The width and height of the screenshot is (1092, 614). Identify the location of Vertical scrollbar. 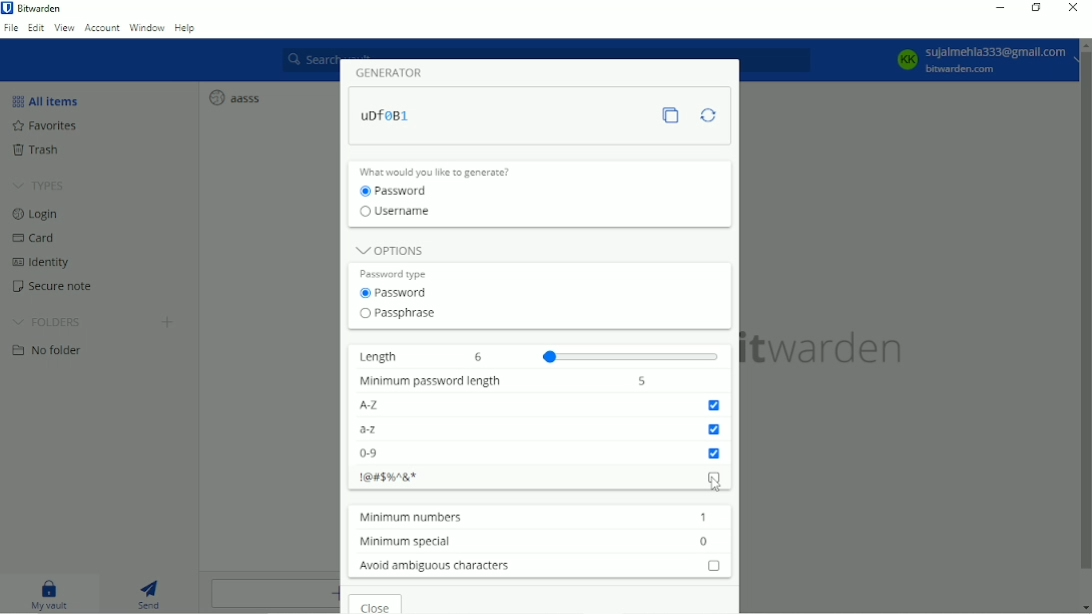
(1085, 314).